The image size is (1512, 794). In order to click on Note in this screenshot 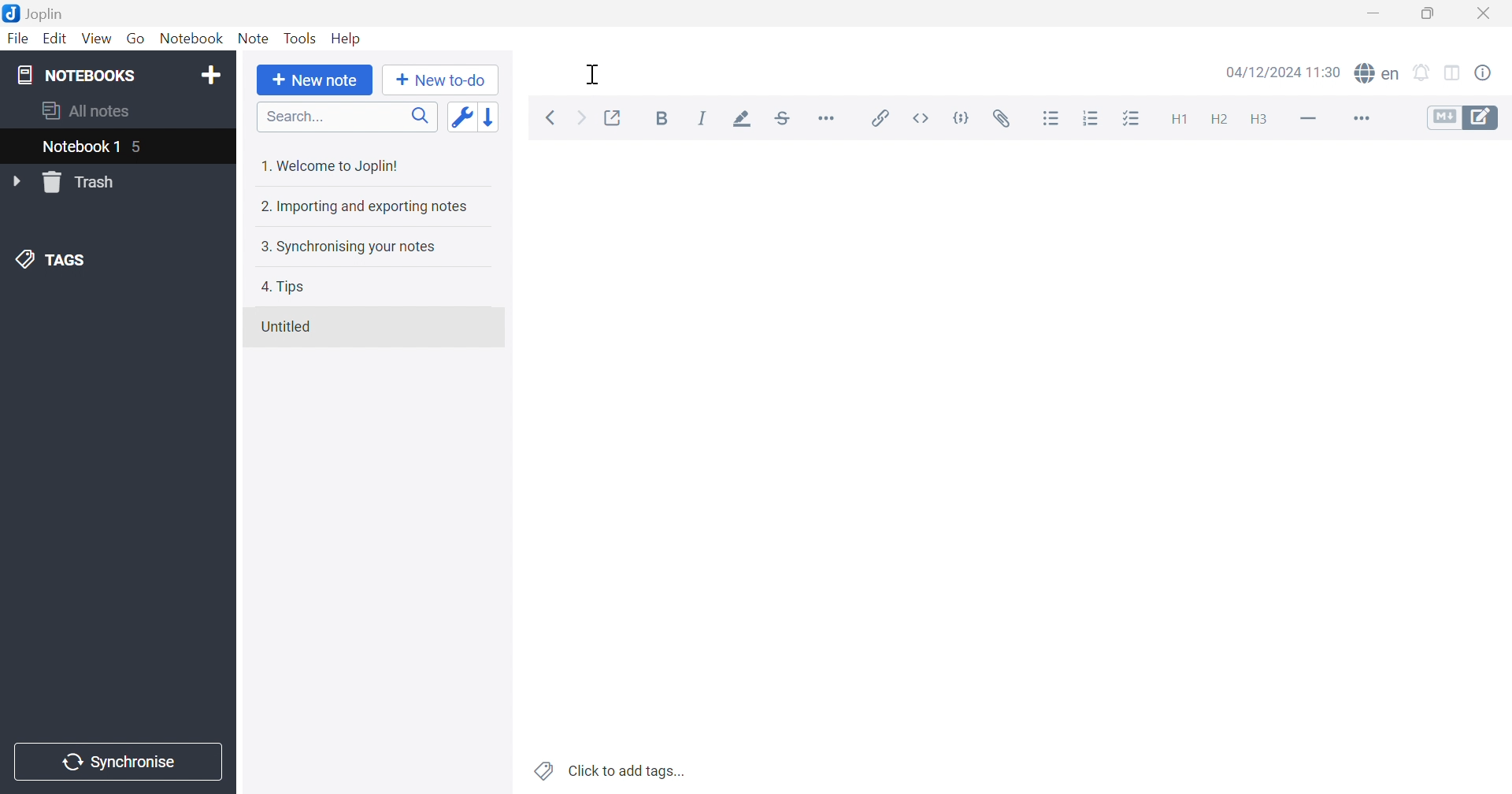, I will do `click(253, 40)`.